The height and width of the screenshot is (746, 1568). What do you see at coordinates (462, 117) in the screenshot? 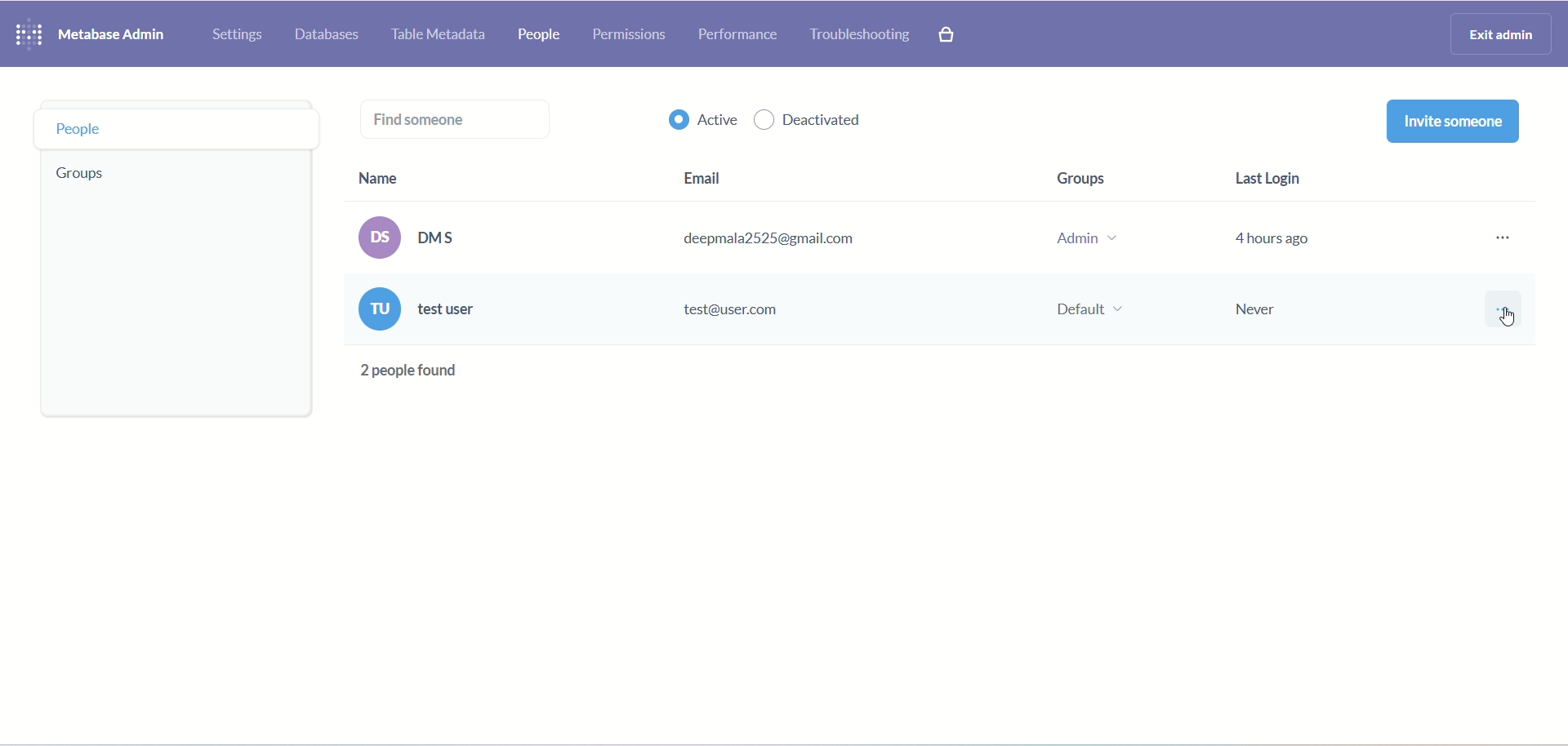
I see `find someone` at bounding box center [462, 117].